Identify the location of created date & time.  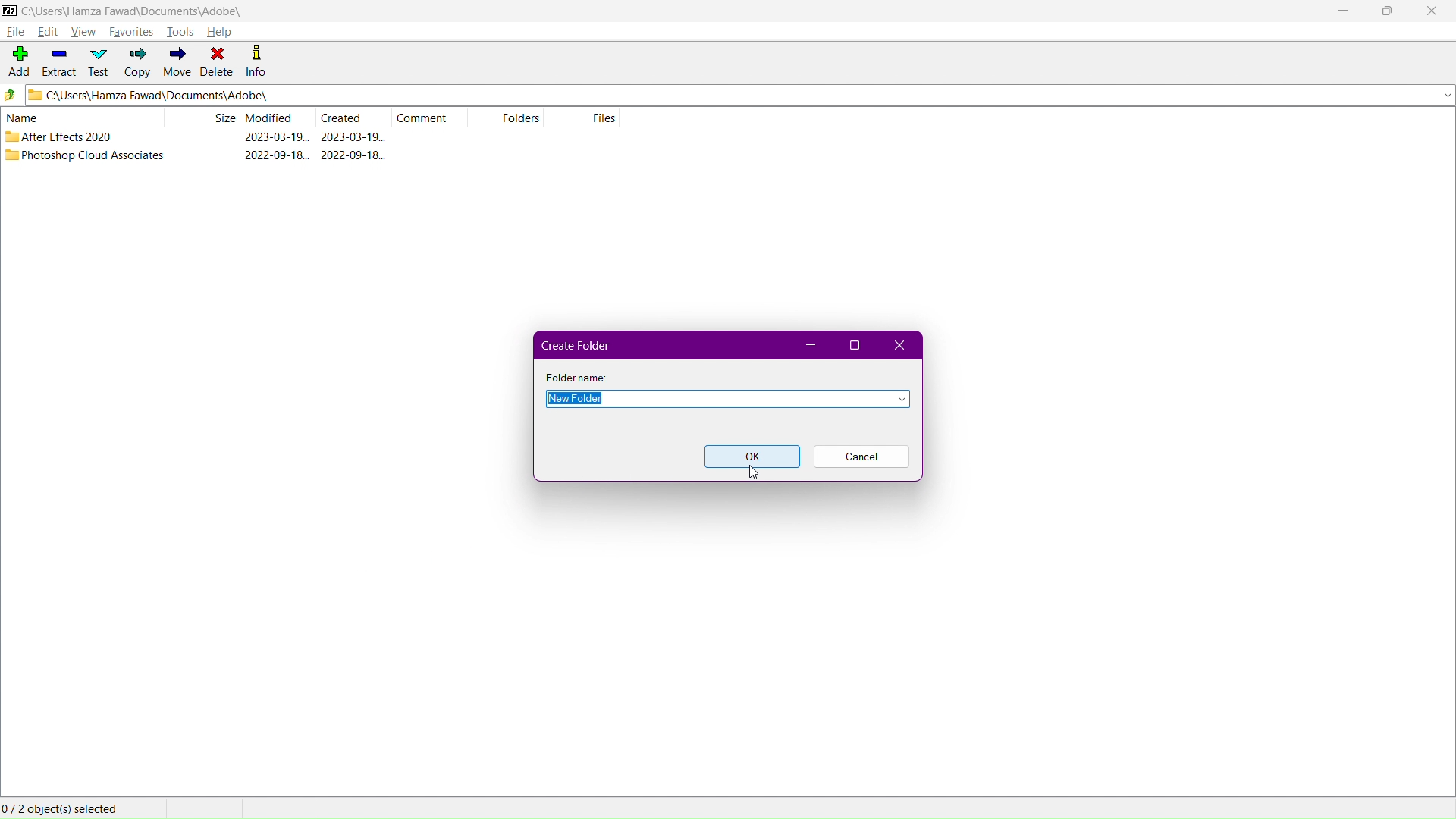
(354, 155).